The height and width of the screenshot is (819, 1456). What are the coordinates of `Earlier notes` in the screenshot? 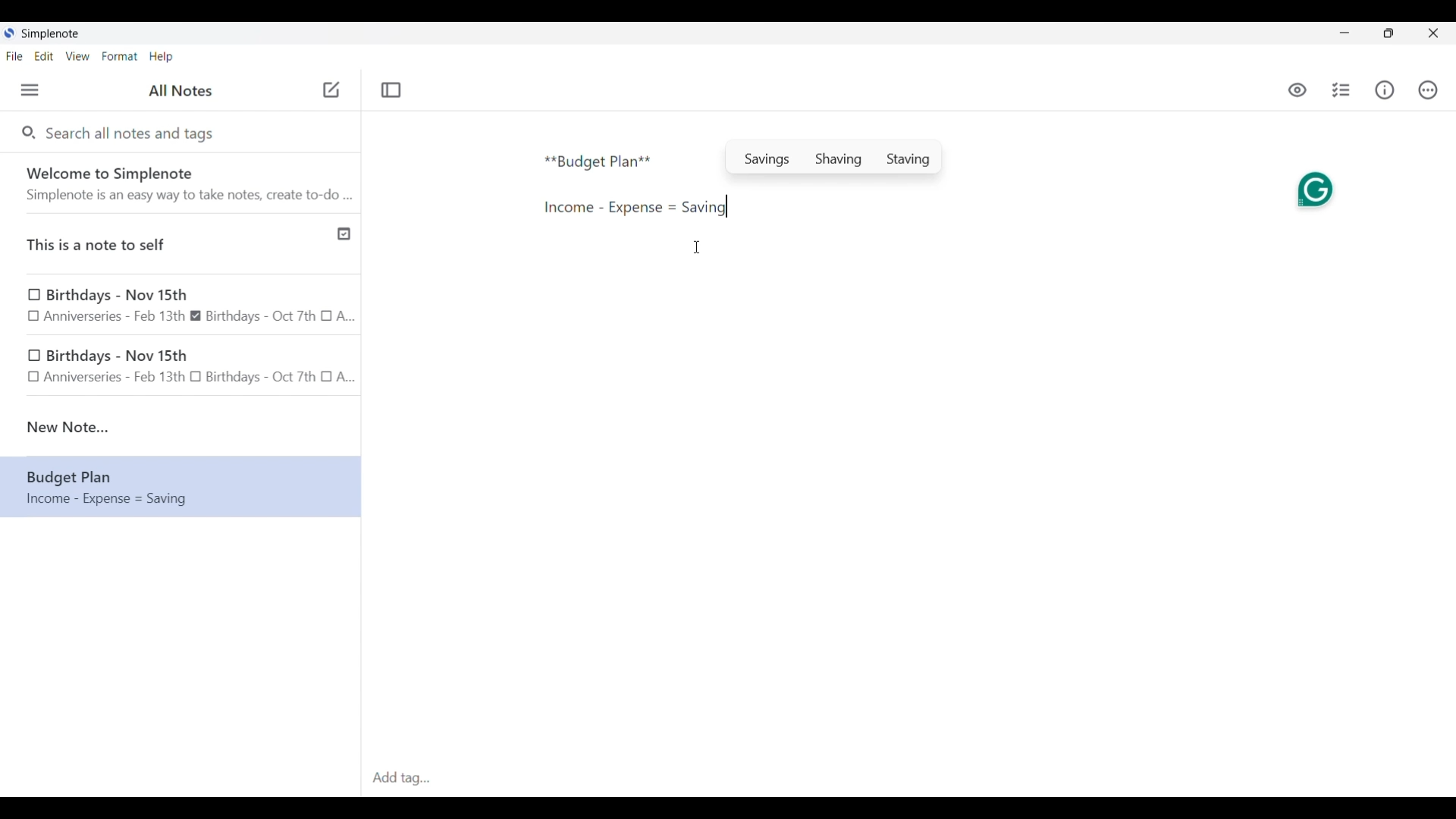 It's located at (181, 304).